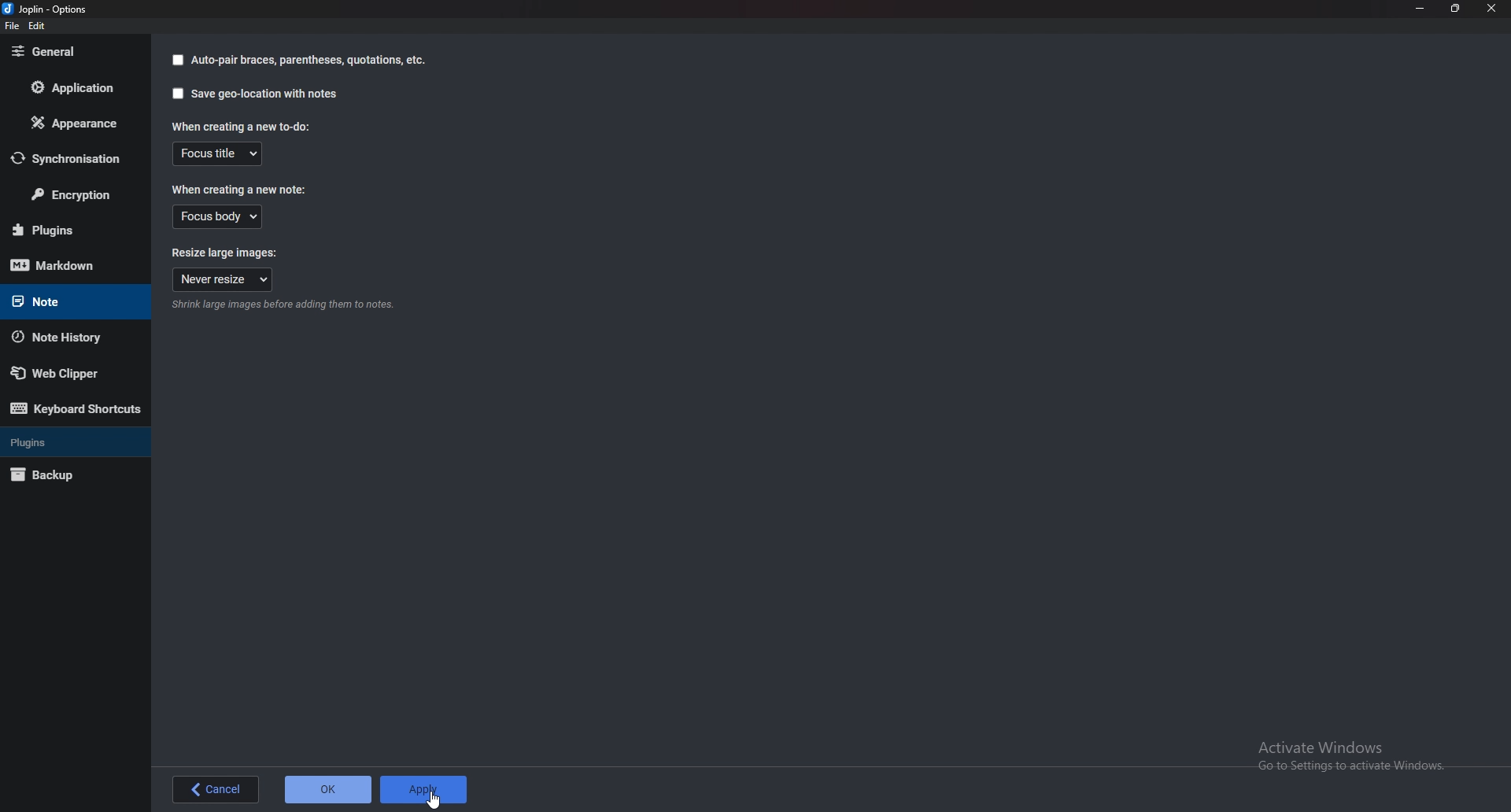 The width and height of the screenshot is (1511, 812). Describe the element at coordinates (214, 789) in the screenshot. I see `back` at that location.